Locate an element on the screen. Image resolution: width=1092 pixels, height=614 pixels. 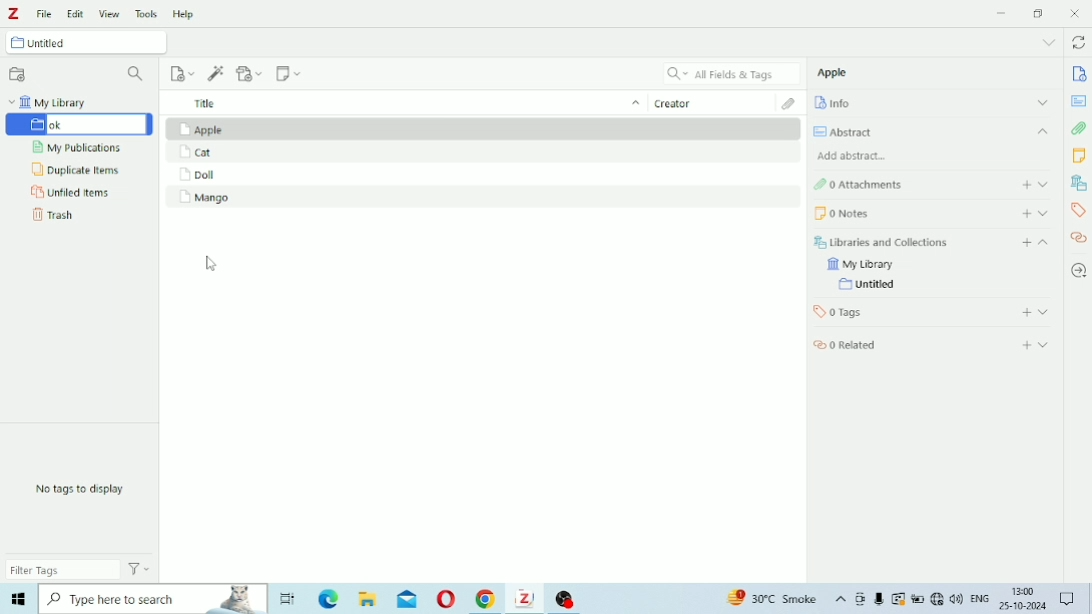
My Publications is located at coordinates (78, 146).